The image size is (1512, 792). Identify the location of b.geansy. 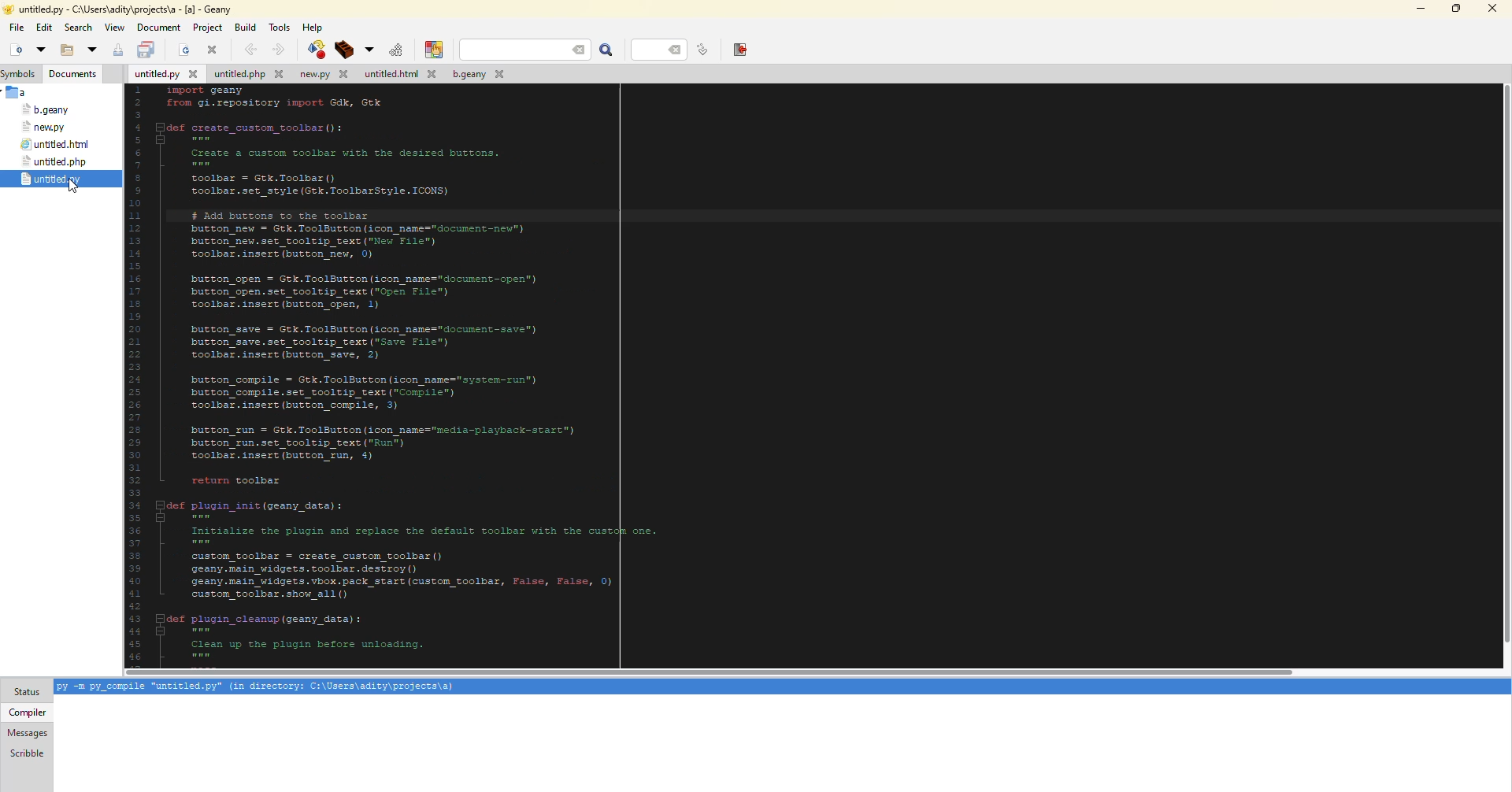
(44, 109).